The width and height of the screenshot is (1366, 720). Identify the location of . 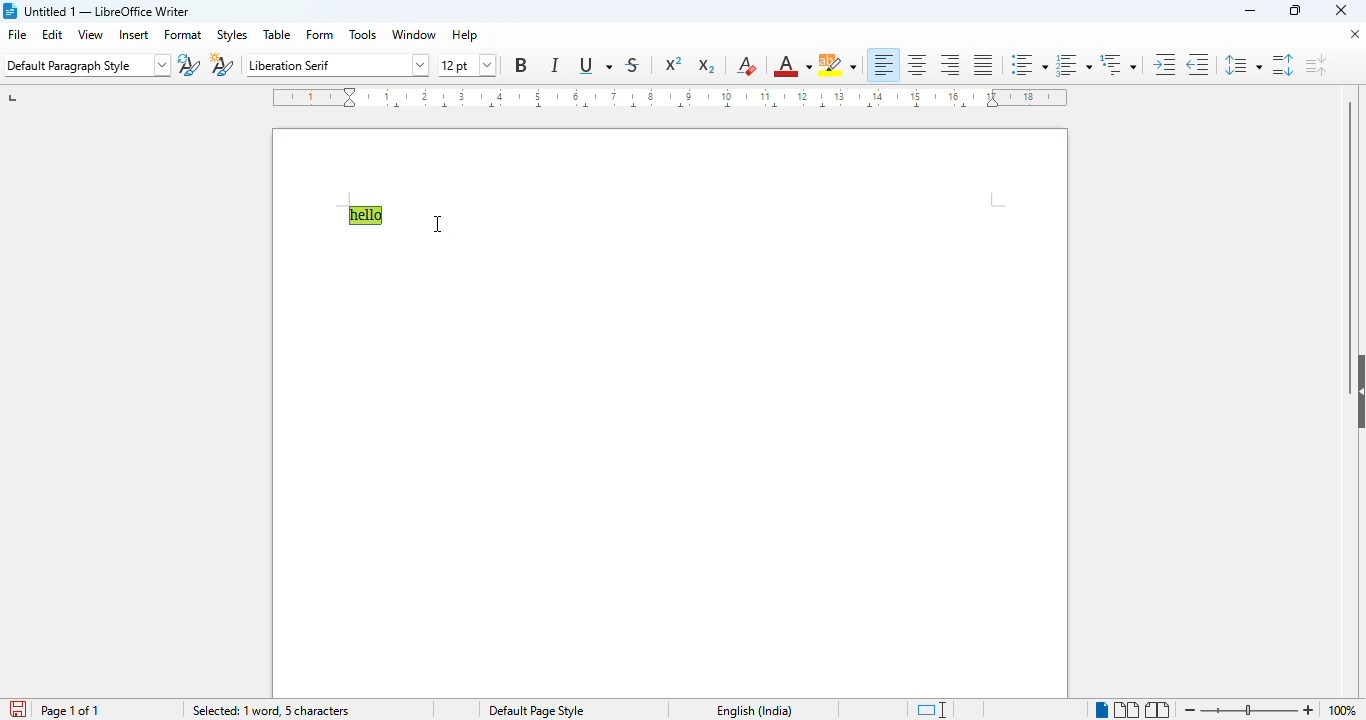
(273, 709).